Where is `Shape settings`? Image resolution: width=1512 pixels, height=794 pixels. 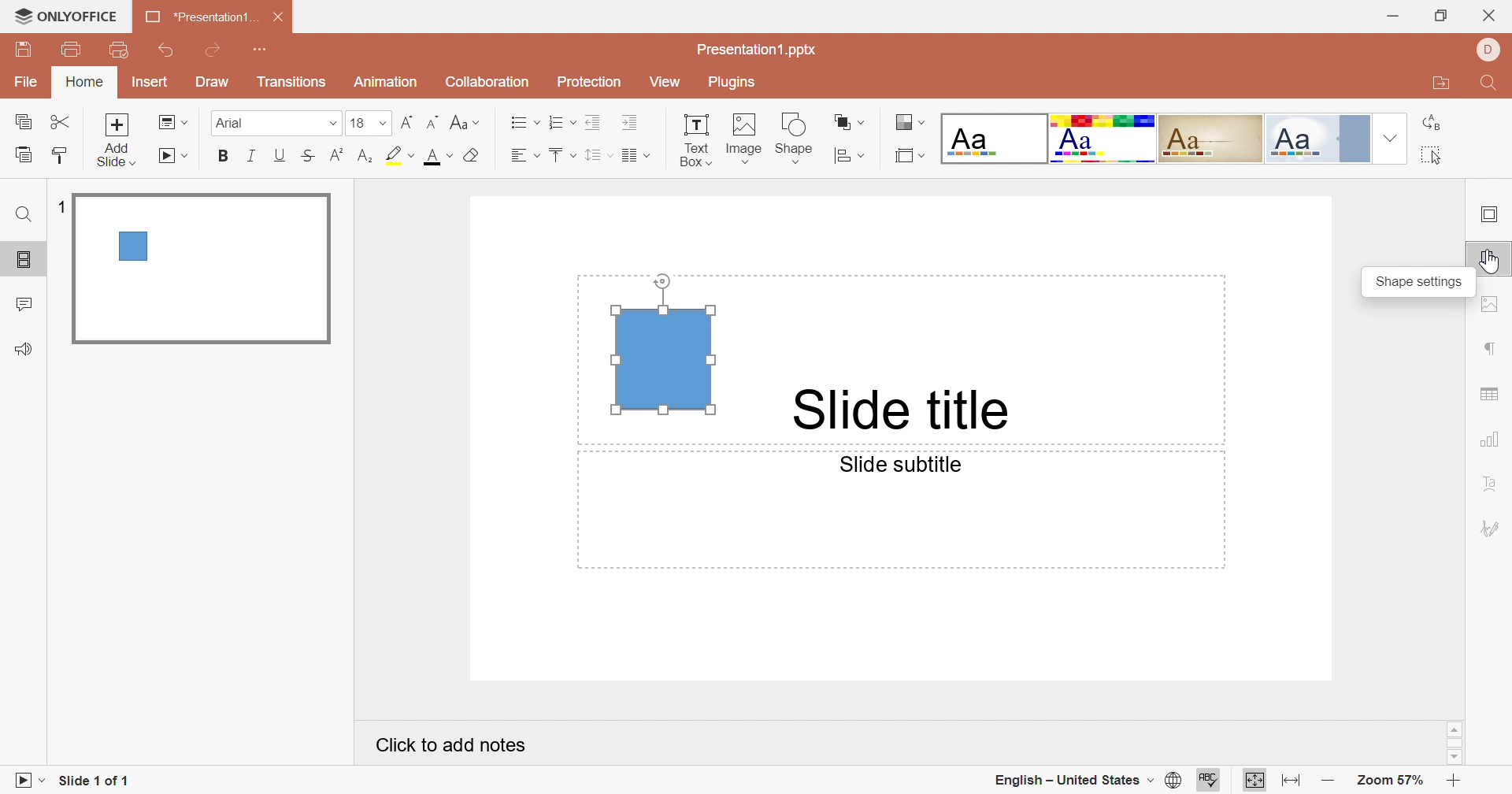 Shape settings is located at coordinates (1415, 282).